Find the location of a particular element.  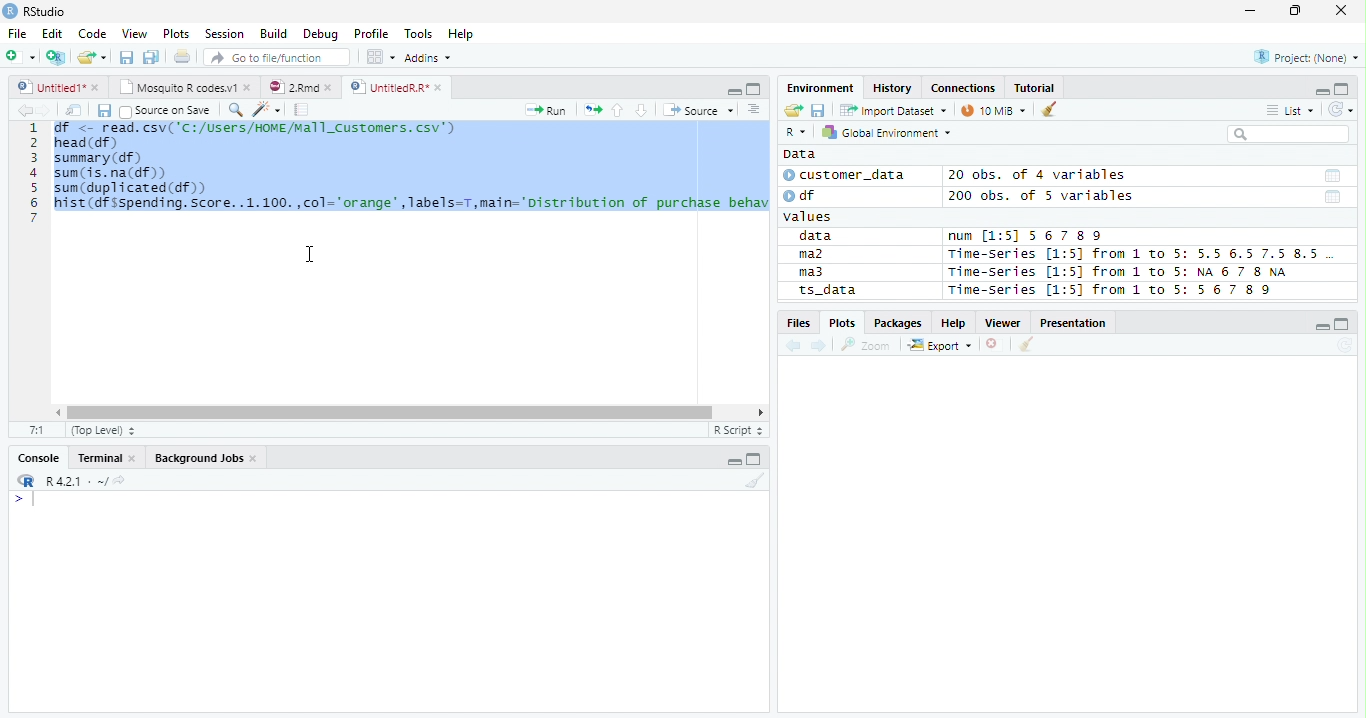

Next is located at coordinates (820, 347).